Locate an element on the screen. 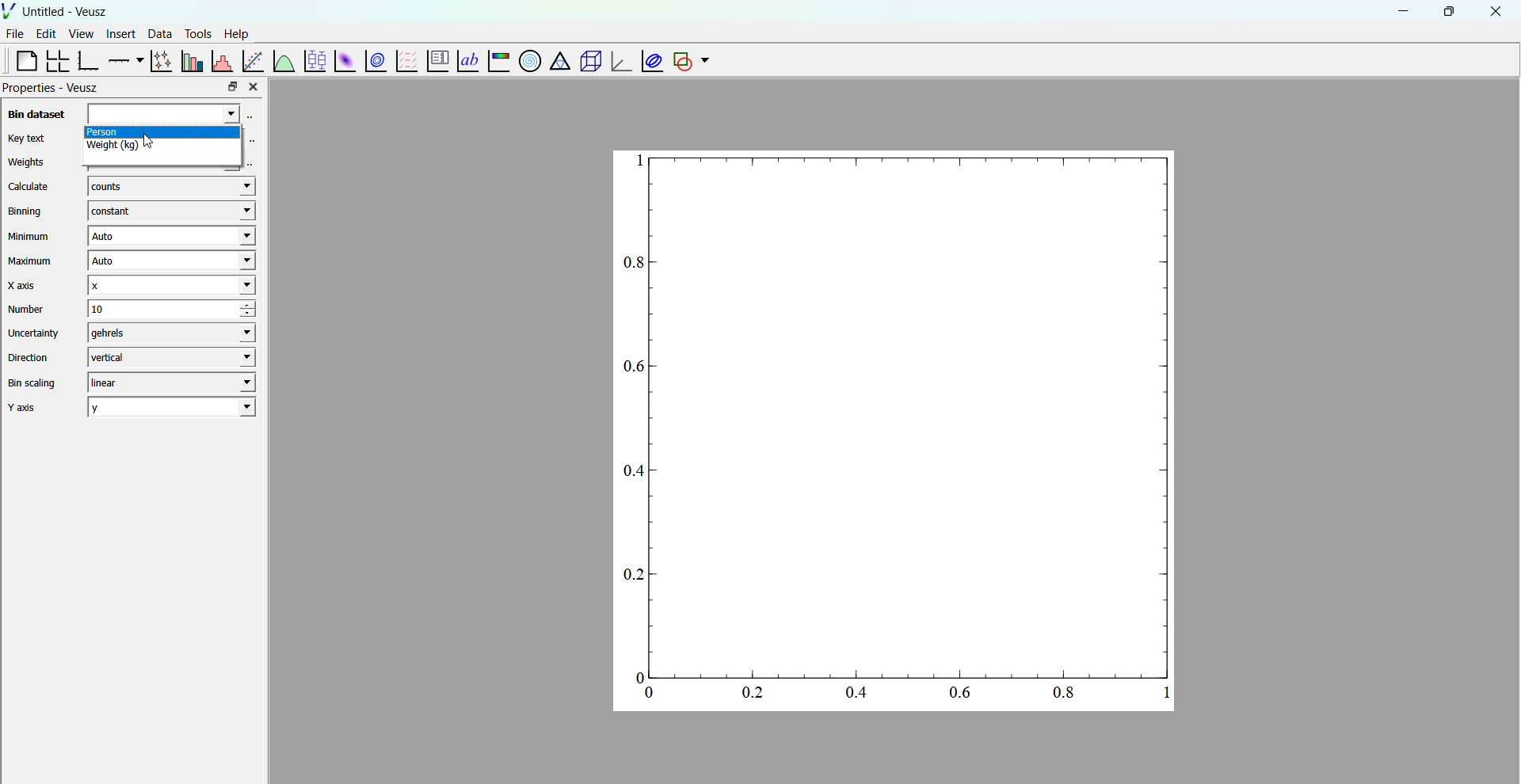  Arrange a graph in a grid is located at coordinates (56, 62).